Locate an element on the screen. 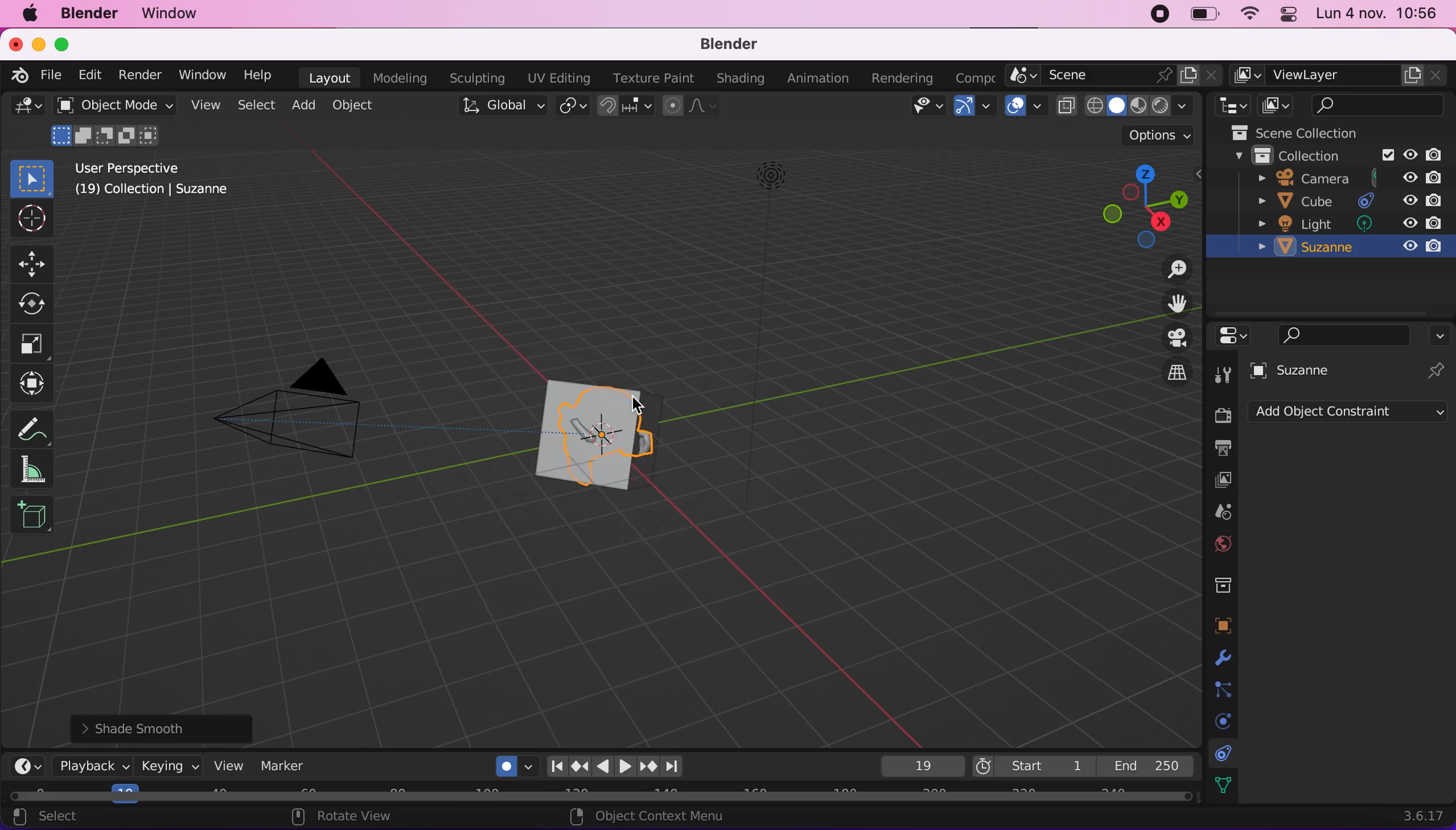  sculpting is located at coordinates (476, 78).